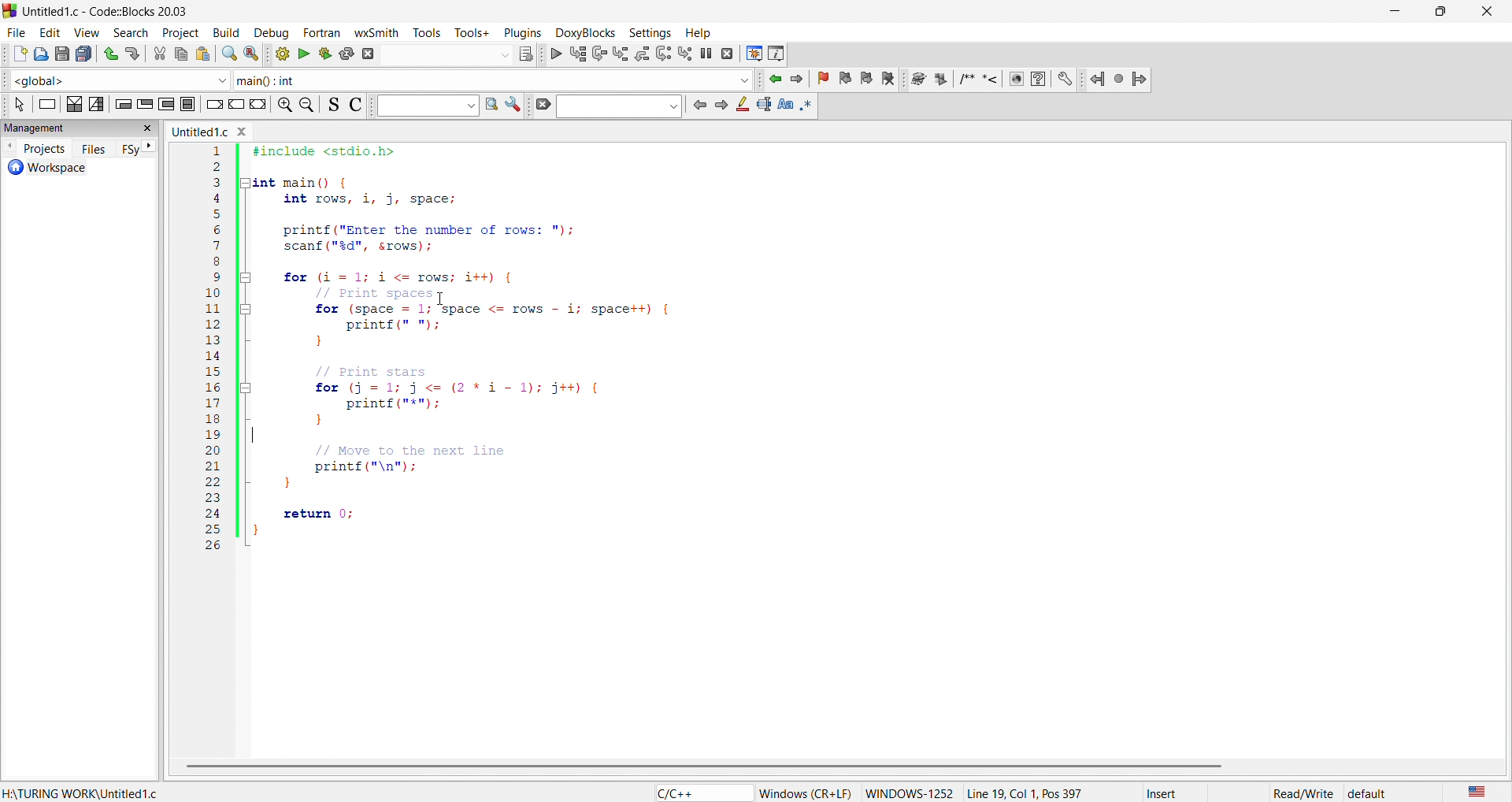  What do you see at coordinates (250, 54) in the screenshot?
I see `replace` at bounding box center [250, 54].